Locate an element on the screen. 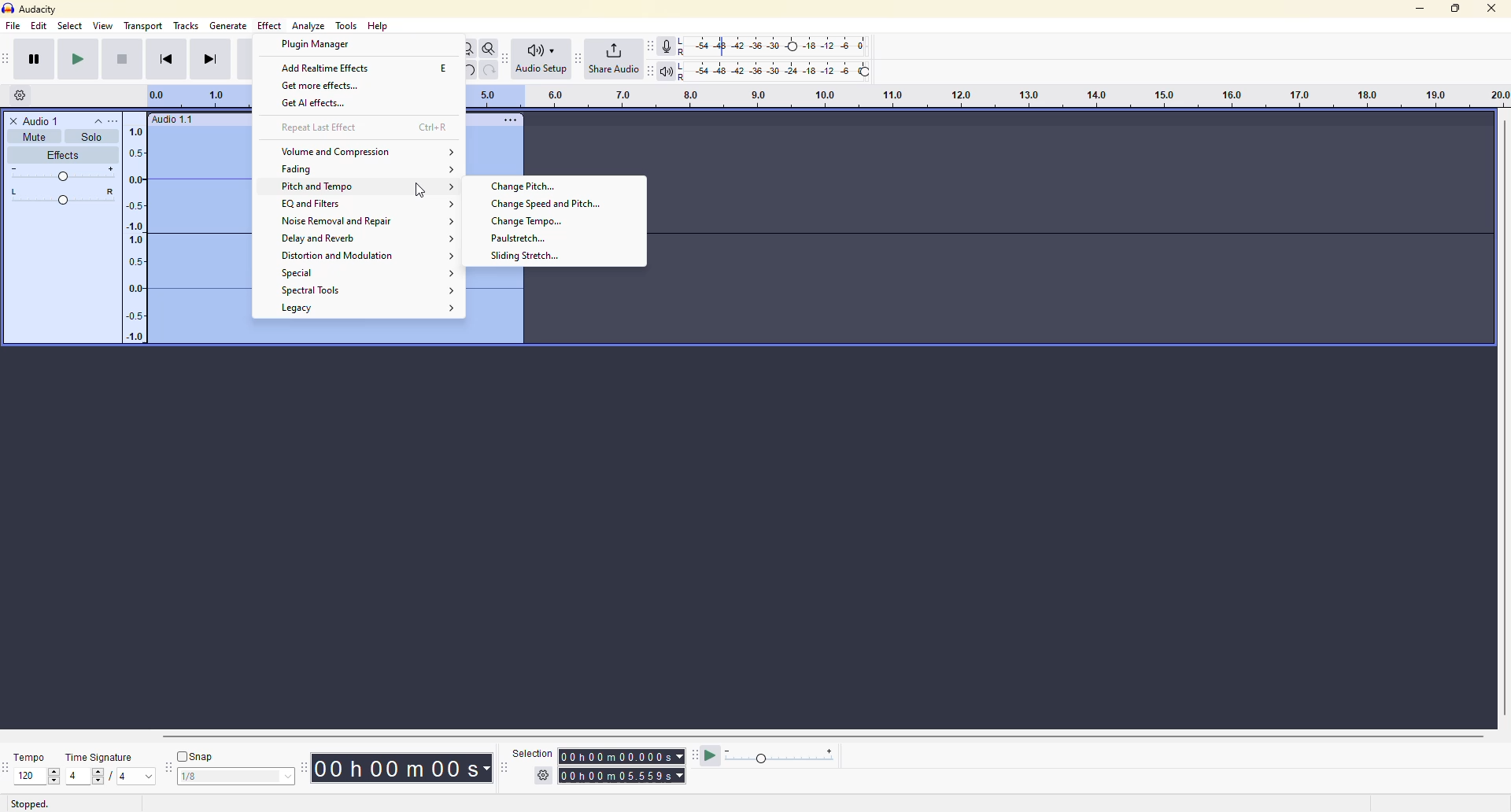 This screenshot has height=812, width=1511. skip to start is located at coordinates (166, 58).